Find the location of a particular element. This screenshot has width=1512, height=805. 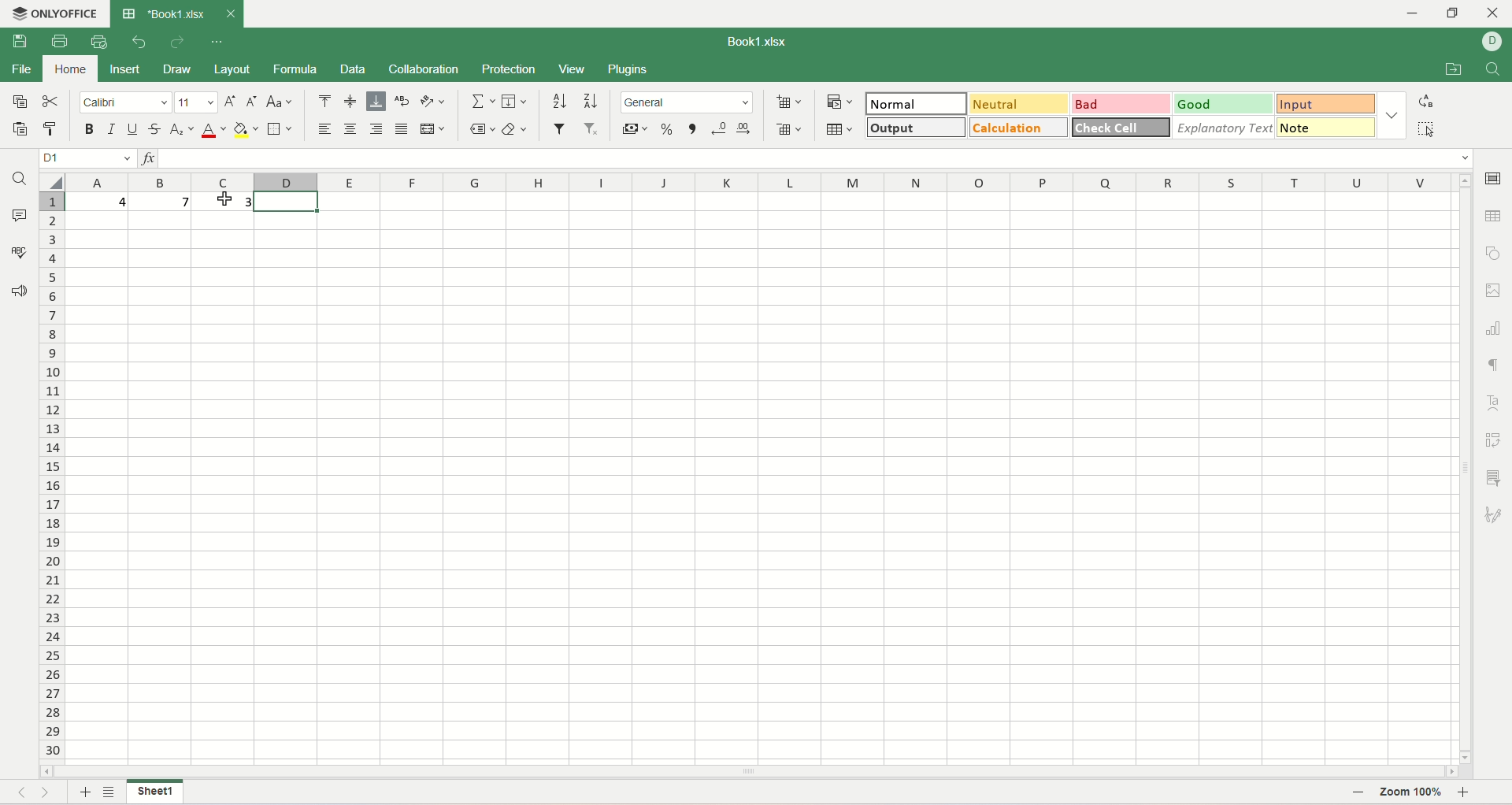

good  is located at coordinates (1225, 104).